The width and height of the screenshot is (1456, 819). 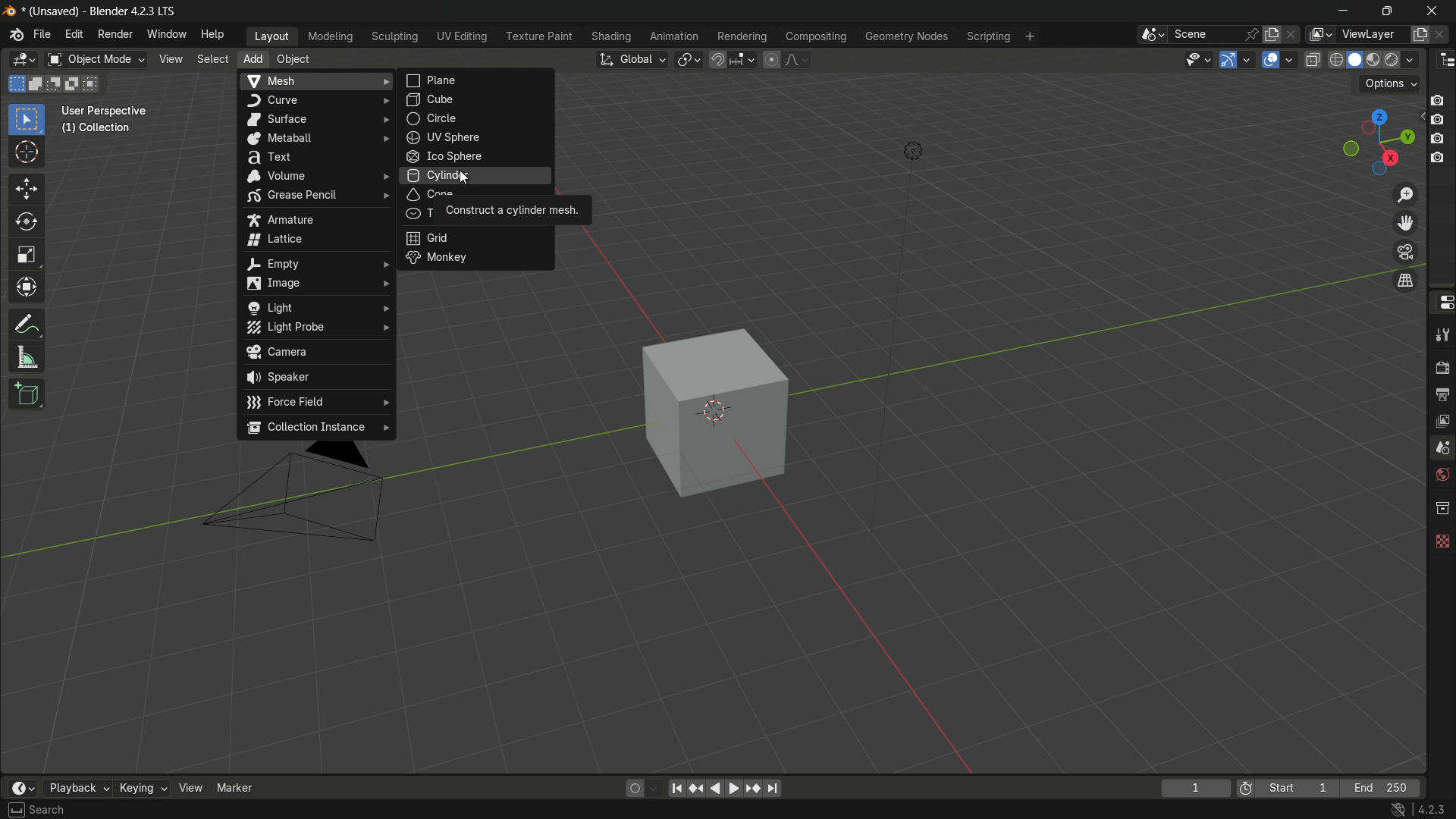 What do you see at coordinates (26, 223) in the screenshot?
I see `rotate` at bounding box center [26, 223].